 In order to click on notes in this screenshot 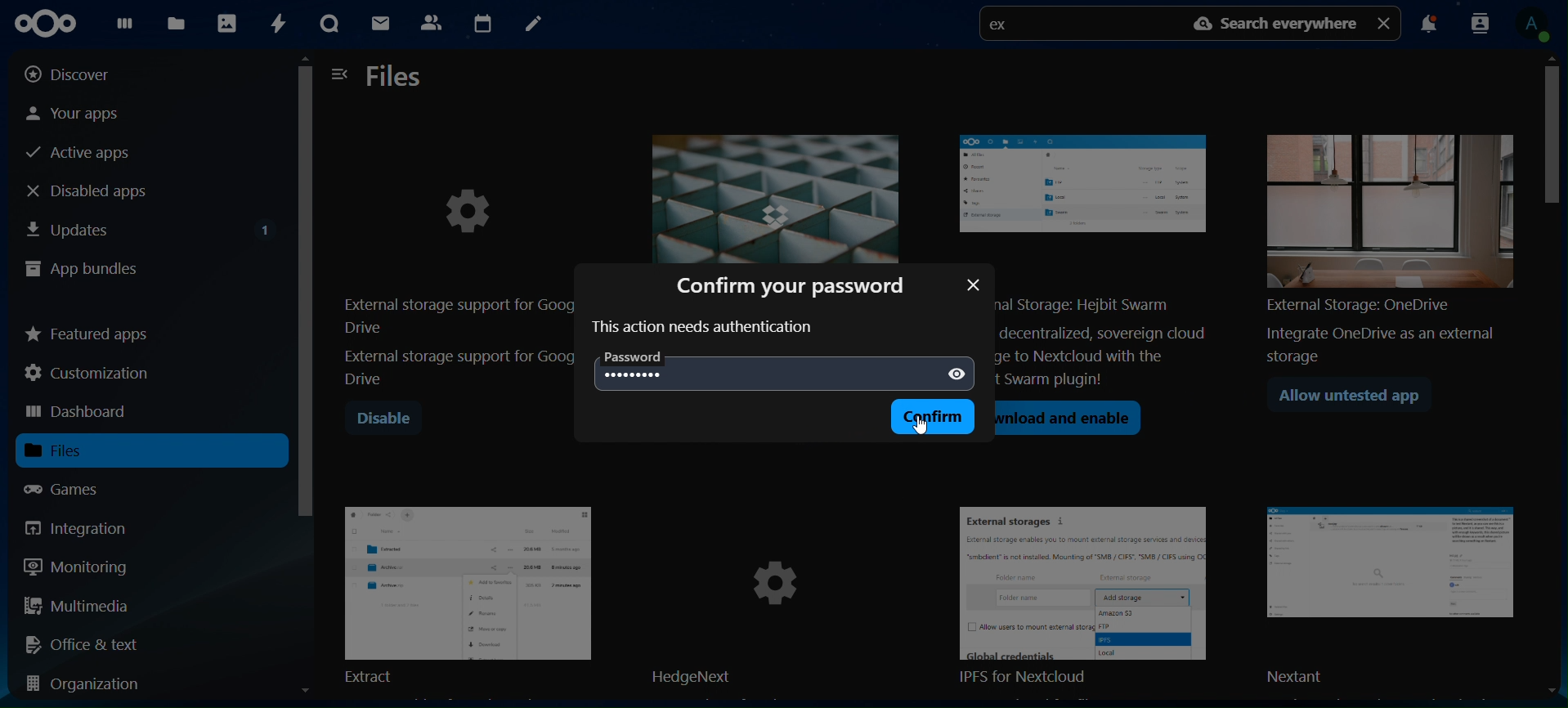, I will do `click(531, 25)`.